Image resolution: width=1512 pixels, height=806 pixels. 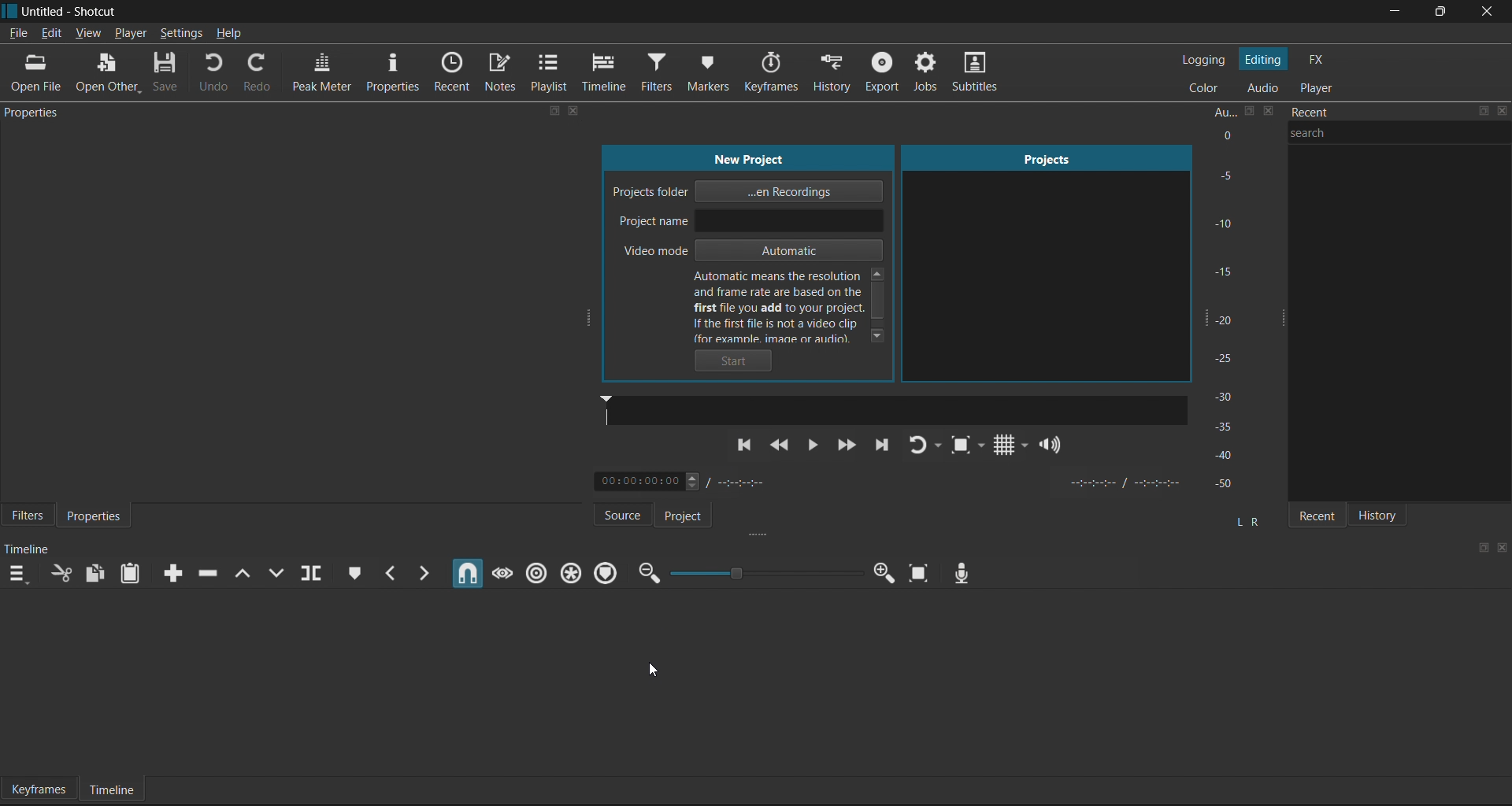 What do you see at coordinates (893, 409) in the screenshot?
I see `Sound bar` at bounding box center [893, 409].